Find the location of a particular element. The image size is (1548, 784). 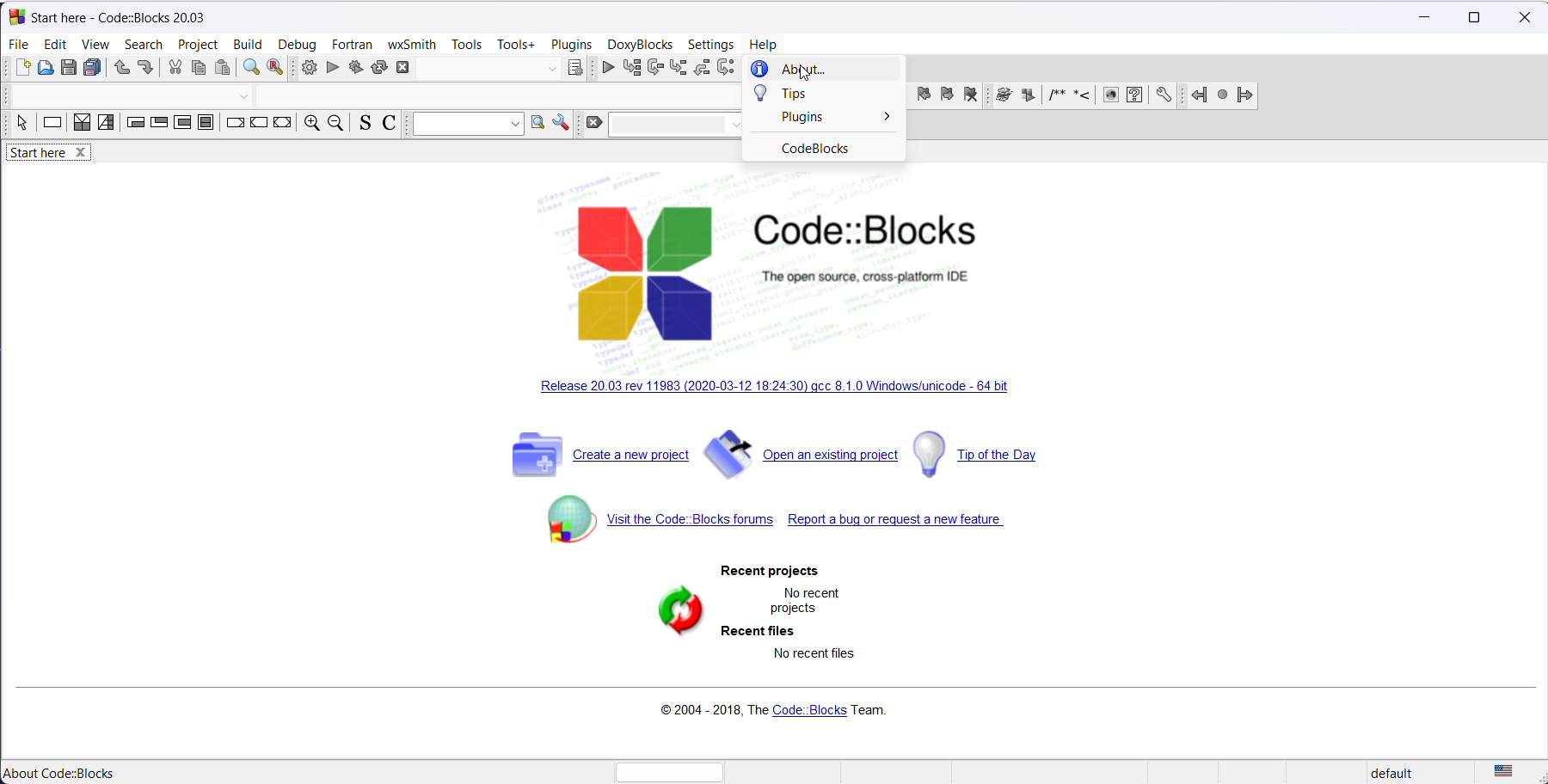

jump forward is located at coordinates (1256, 93).